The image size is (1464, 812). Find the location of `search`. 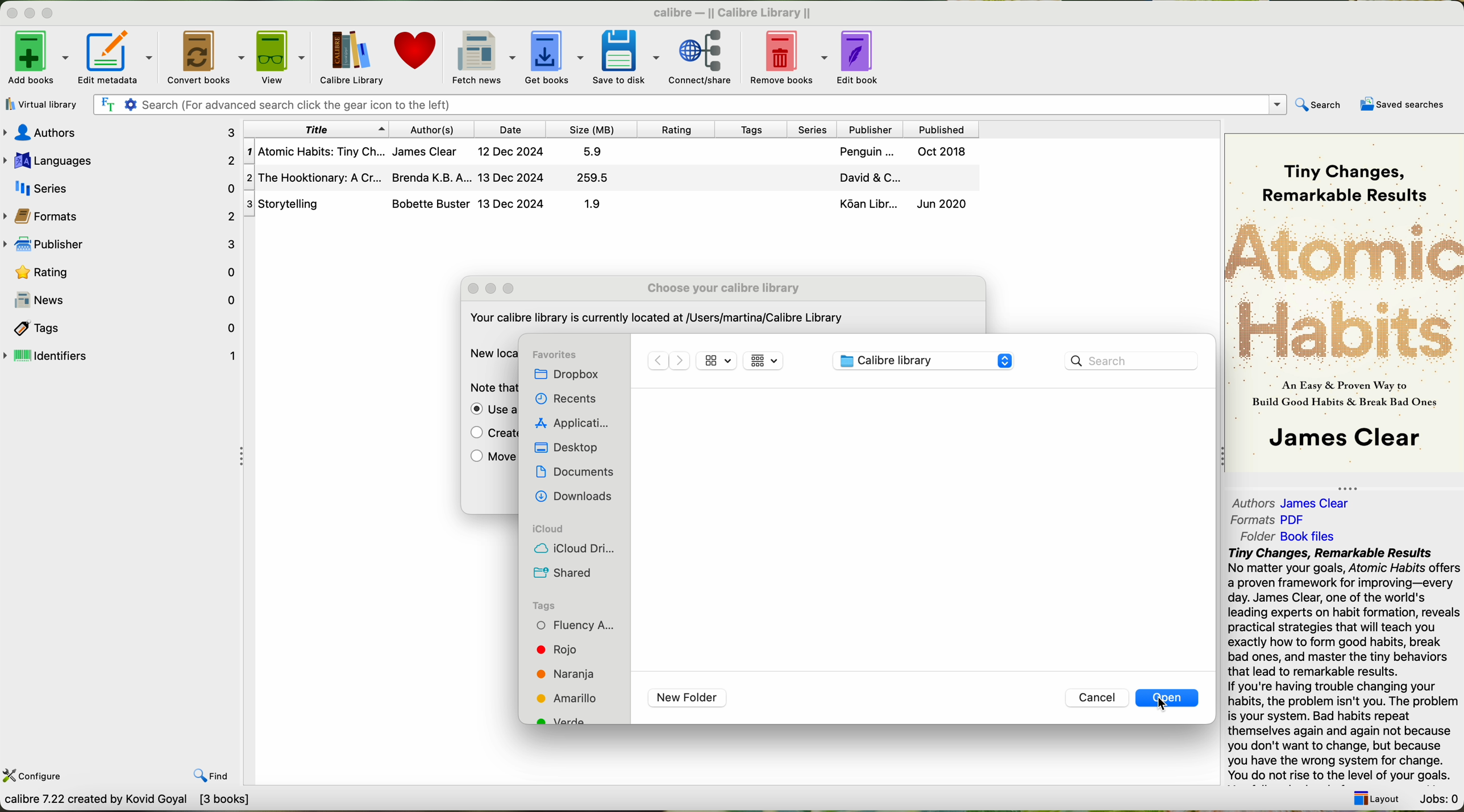

search is located at coordinates (1320, 105).